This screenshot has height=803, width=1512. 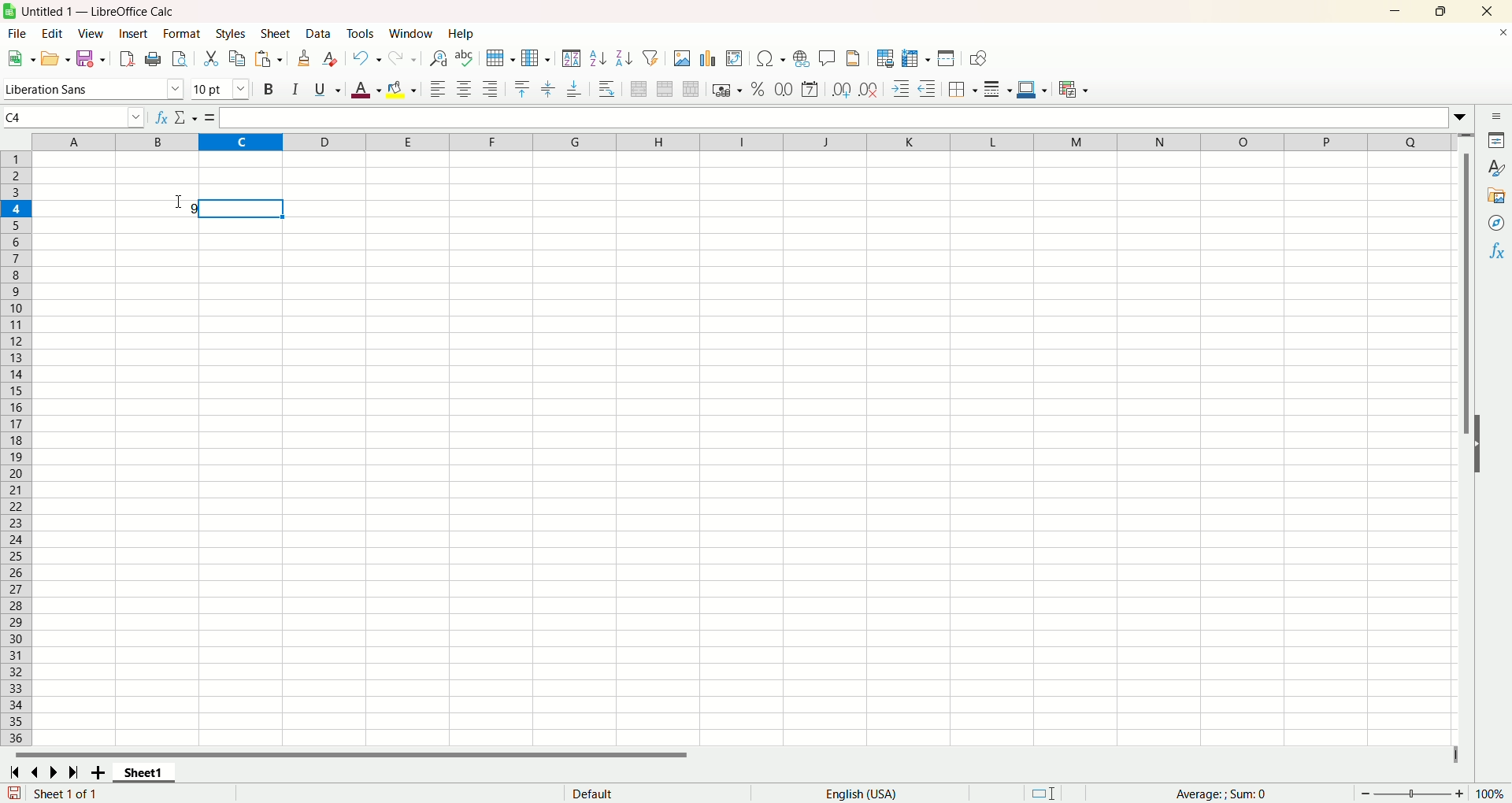 What do you see at coordinates (641, 87) in the screenshot?
I see `merge and center cell` at bounding box center [641, 87].